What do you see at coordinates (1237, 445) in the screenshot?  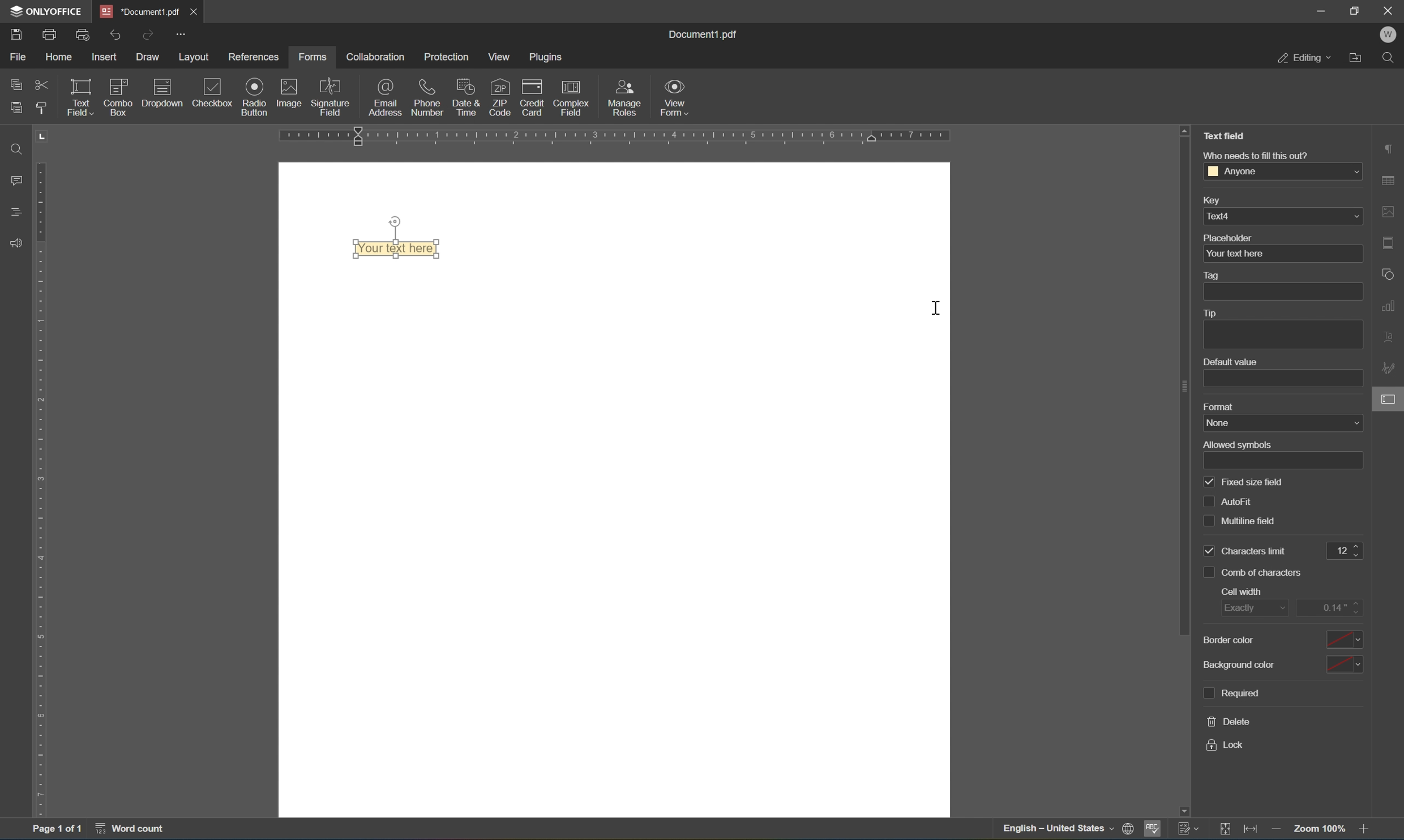 I see `allowed symbols` at bounding box center [1237, 445].